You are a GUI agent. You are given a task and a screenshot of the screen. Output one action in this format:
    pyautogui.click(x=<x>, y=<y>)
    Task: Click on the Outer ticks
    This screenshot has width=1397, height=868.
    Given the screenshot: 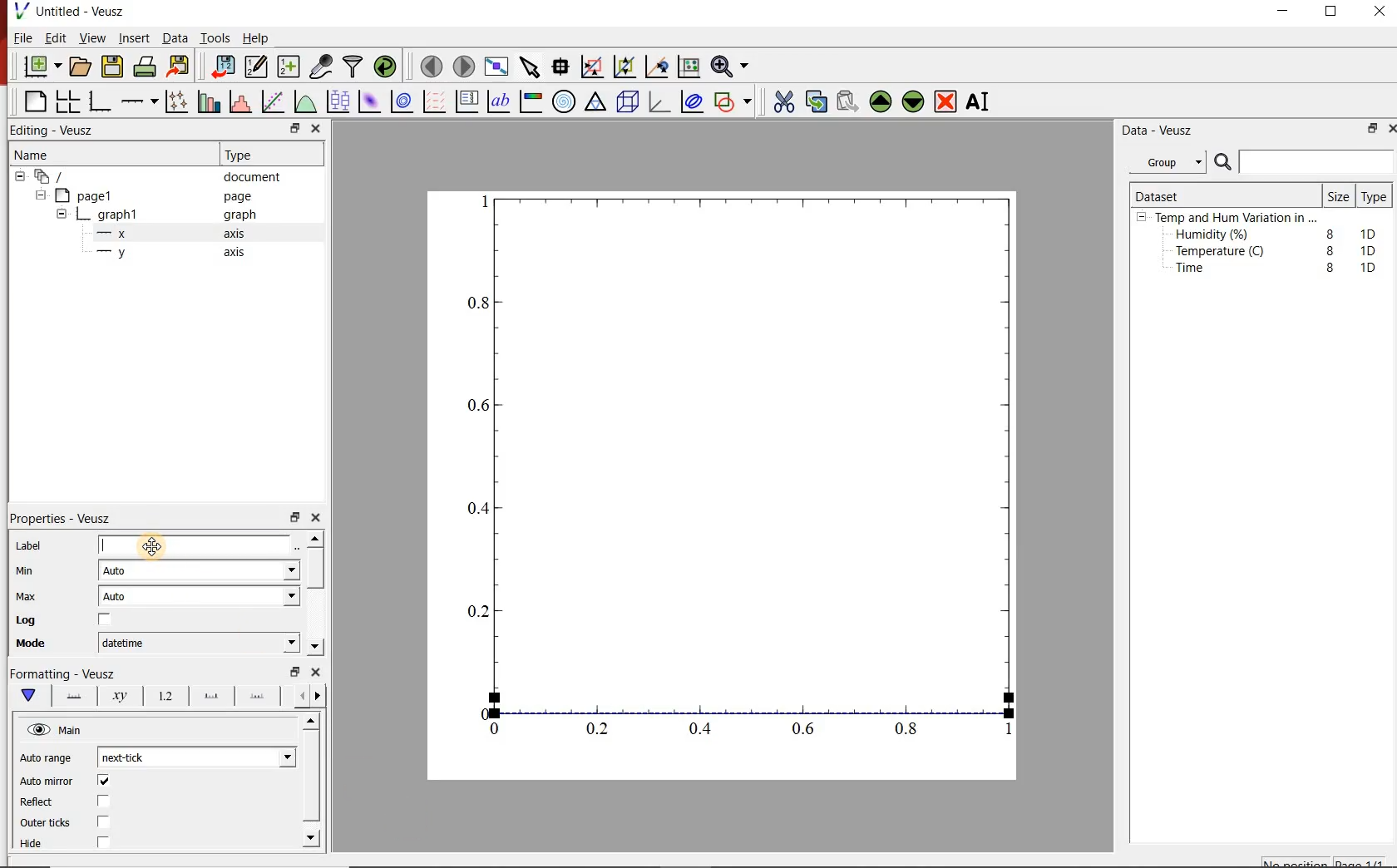 What is the action you would take?
    pyautogui.click(x=81, y=824)
    